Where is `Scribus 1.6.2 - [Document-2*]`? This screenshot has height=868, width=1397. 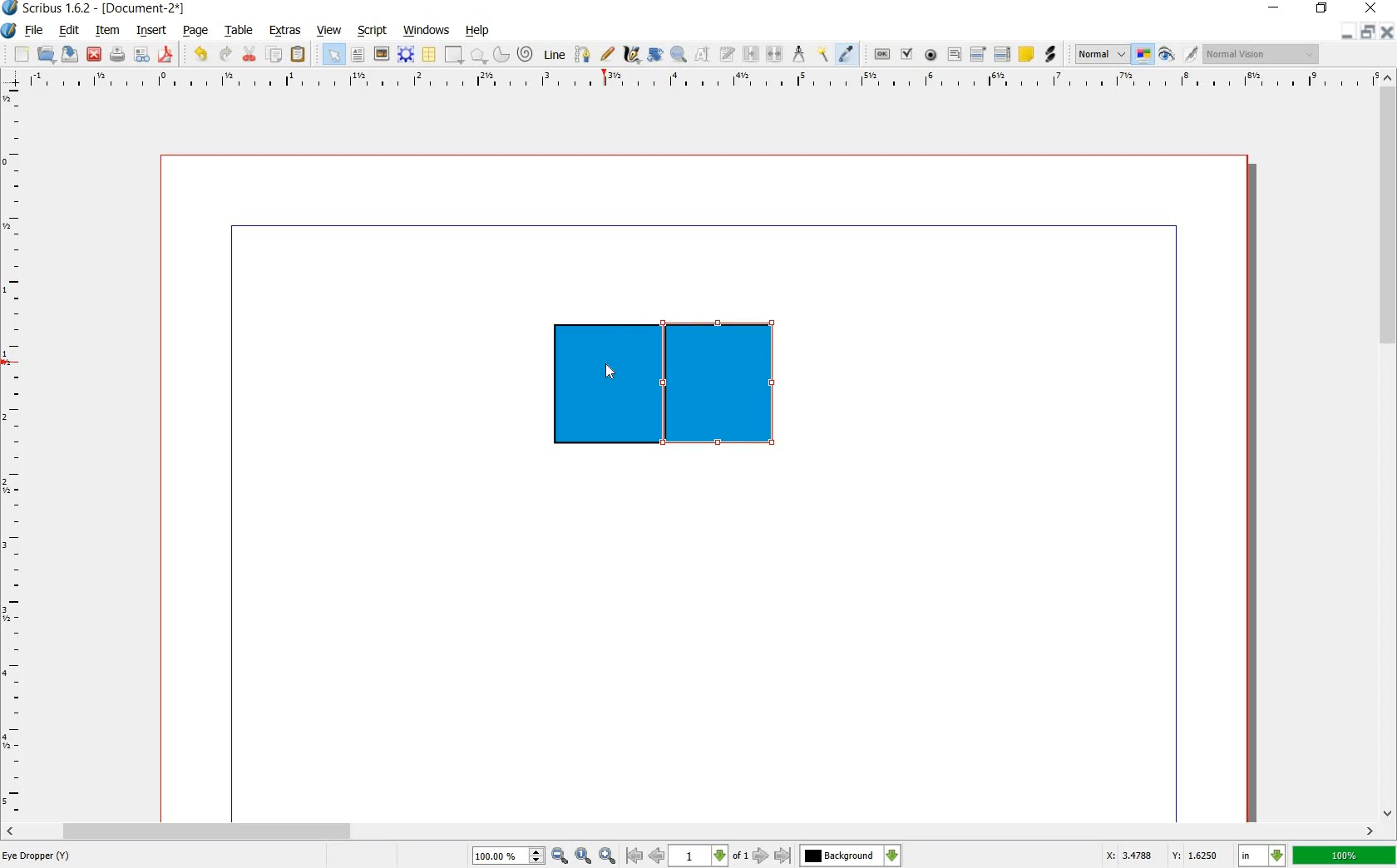 Scribus 1.6.2 - [Document-2*] is located at coordinates (96, 8).